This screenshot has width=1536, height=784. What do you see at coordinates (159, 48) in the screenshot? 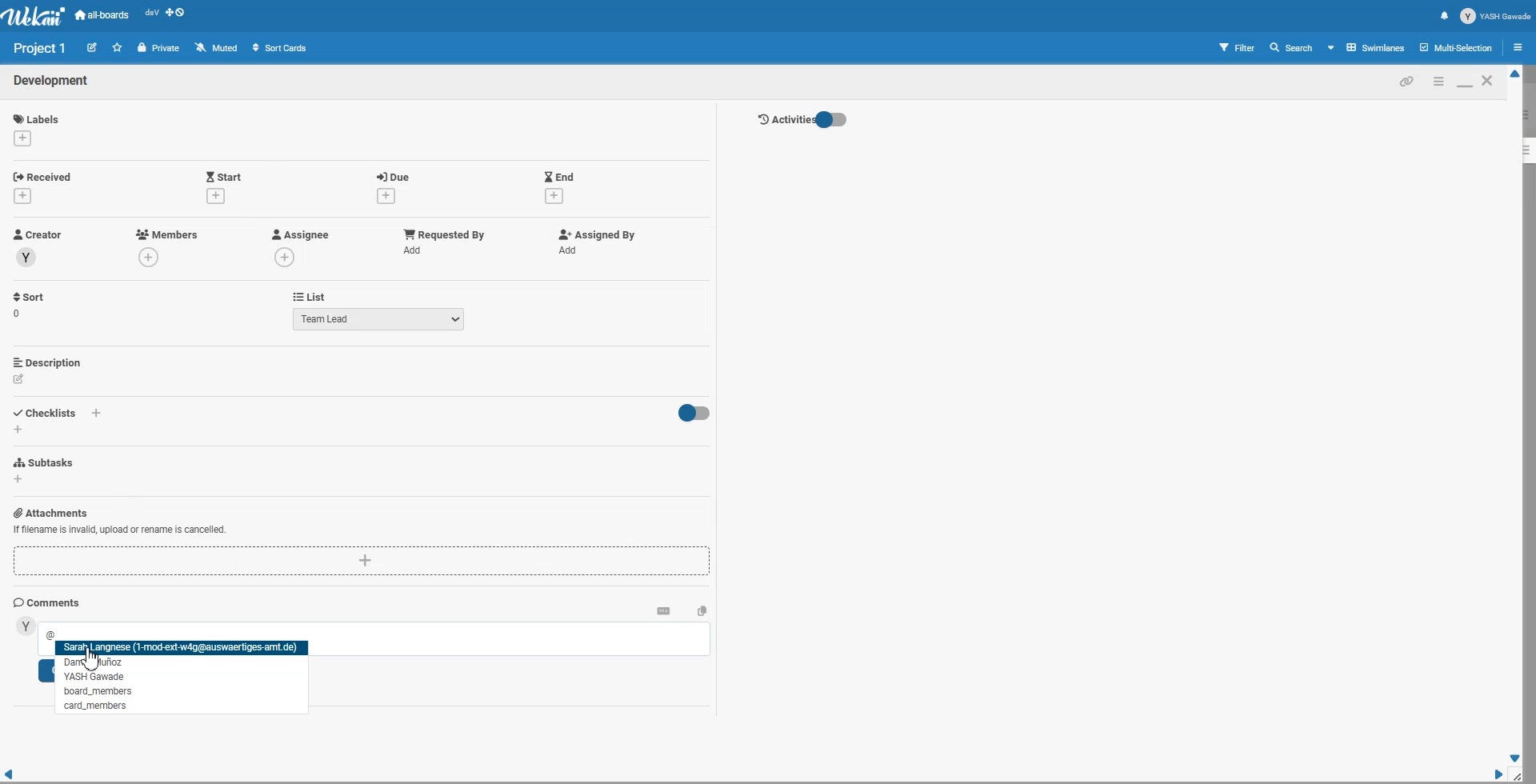
I see `Private` at bounding box center [159, 48].